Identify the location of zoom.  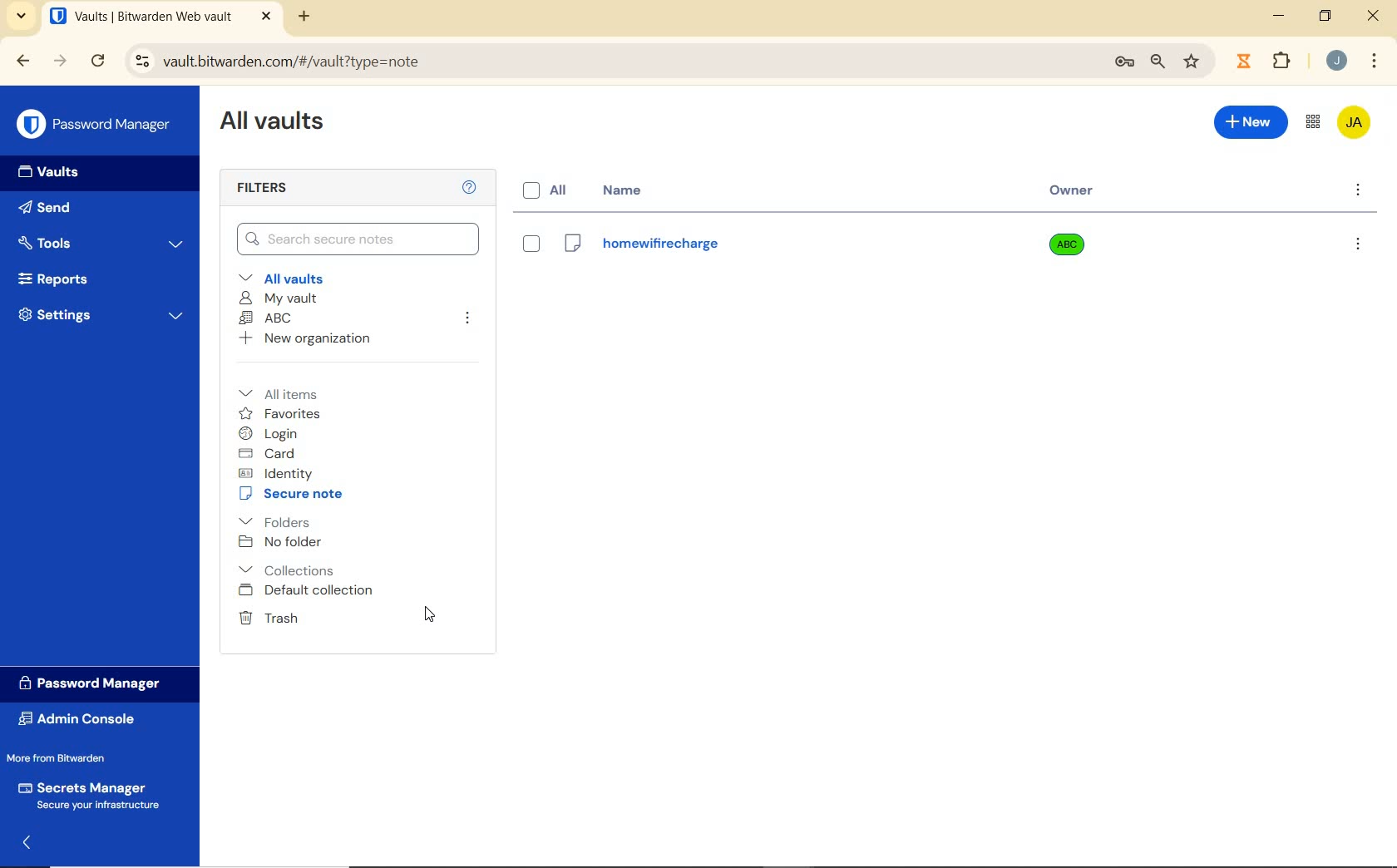
(1158, 63).